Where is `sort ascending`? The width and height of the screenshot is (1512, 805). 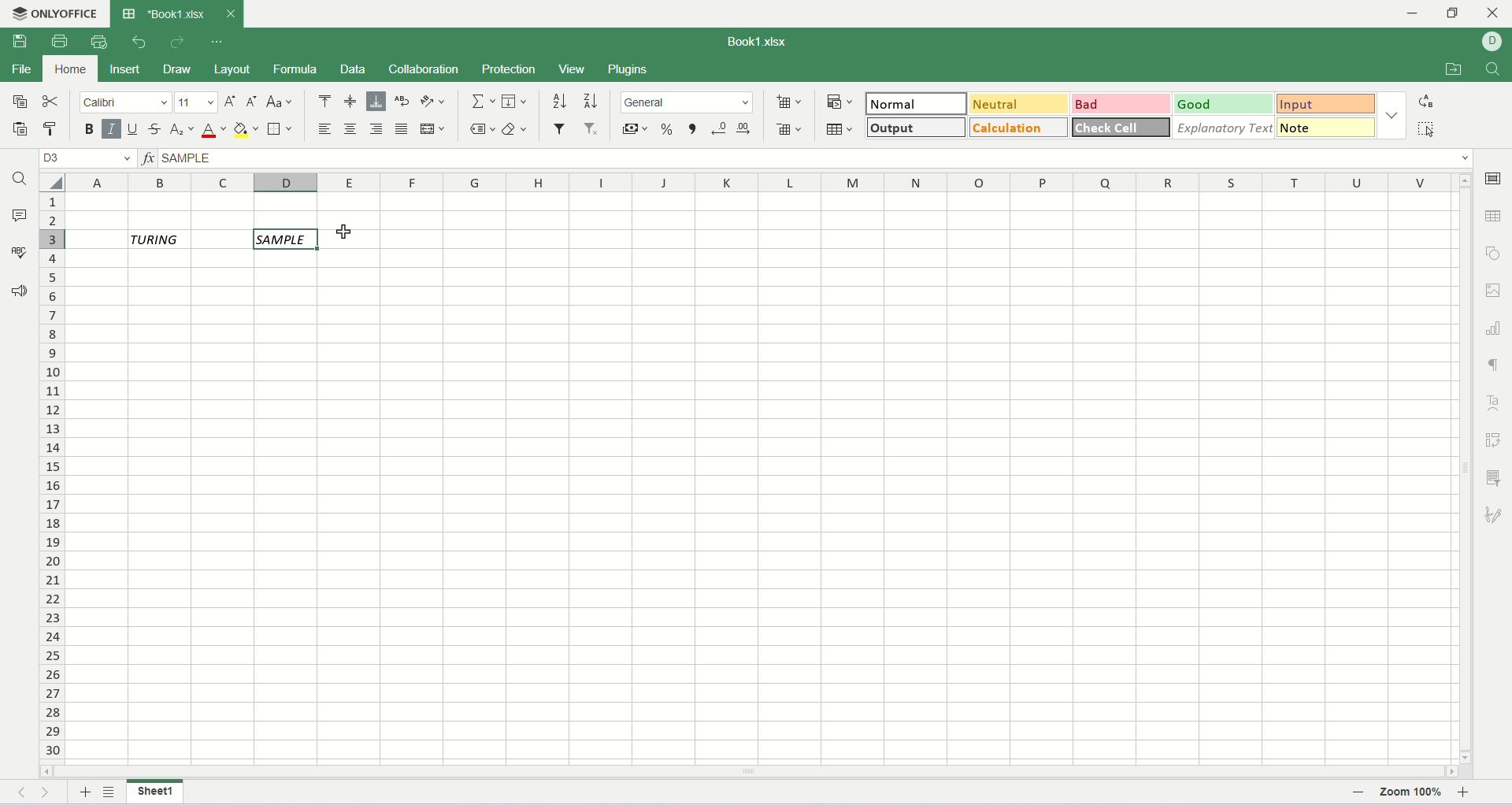
sort ascending is located at coordinates (560, 102).